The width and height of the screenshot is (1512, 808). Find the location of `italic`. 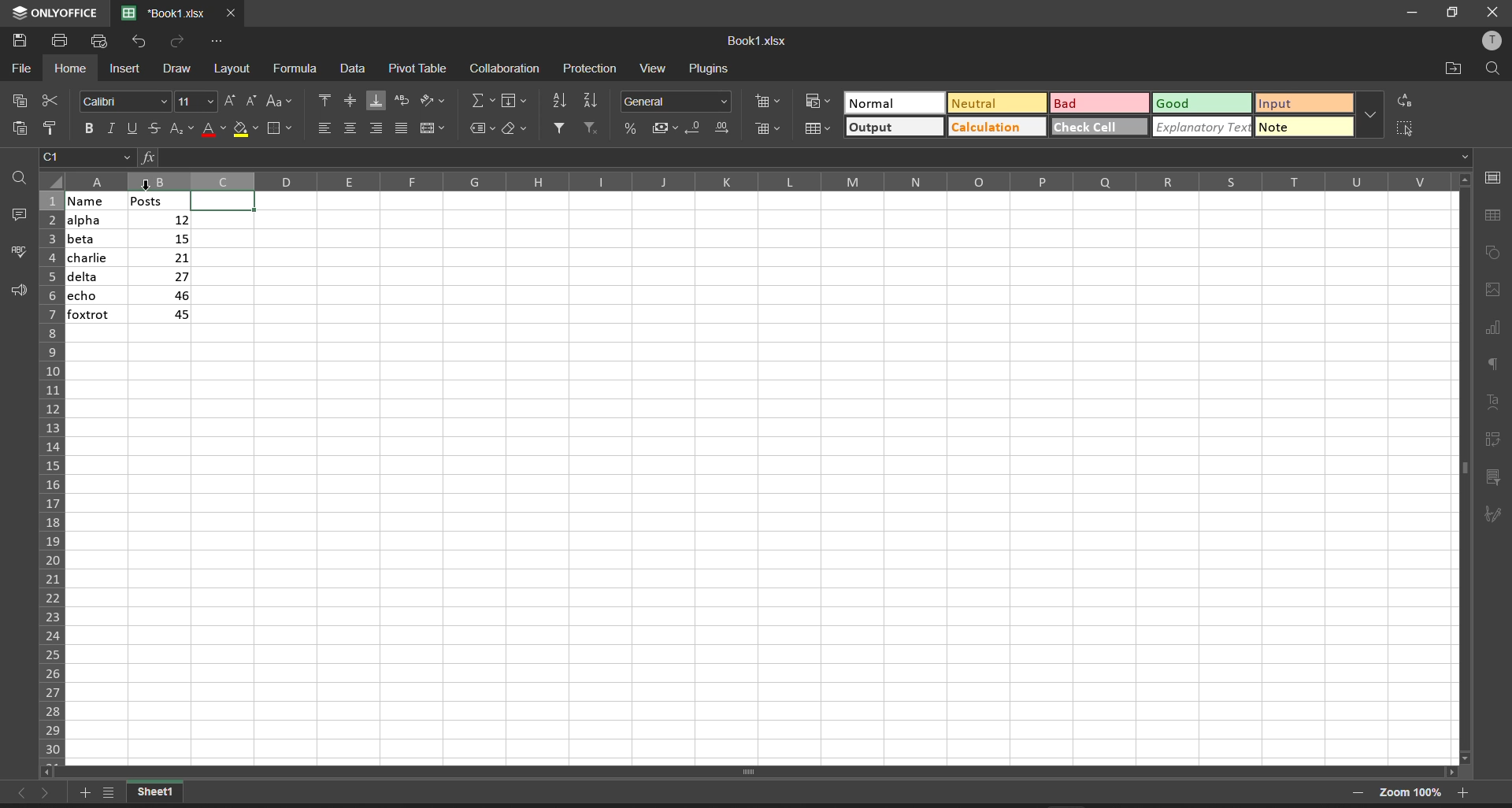

italic is located at coordinates (109, 129).